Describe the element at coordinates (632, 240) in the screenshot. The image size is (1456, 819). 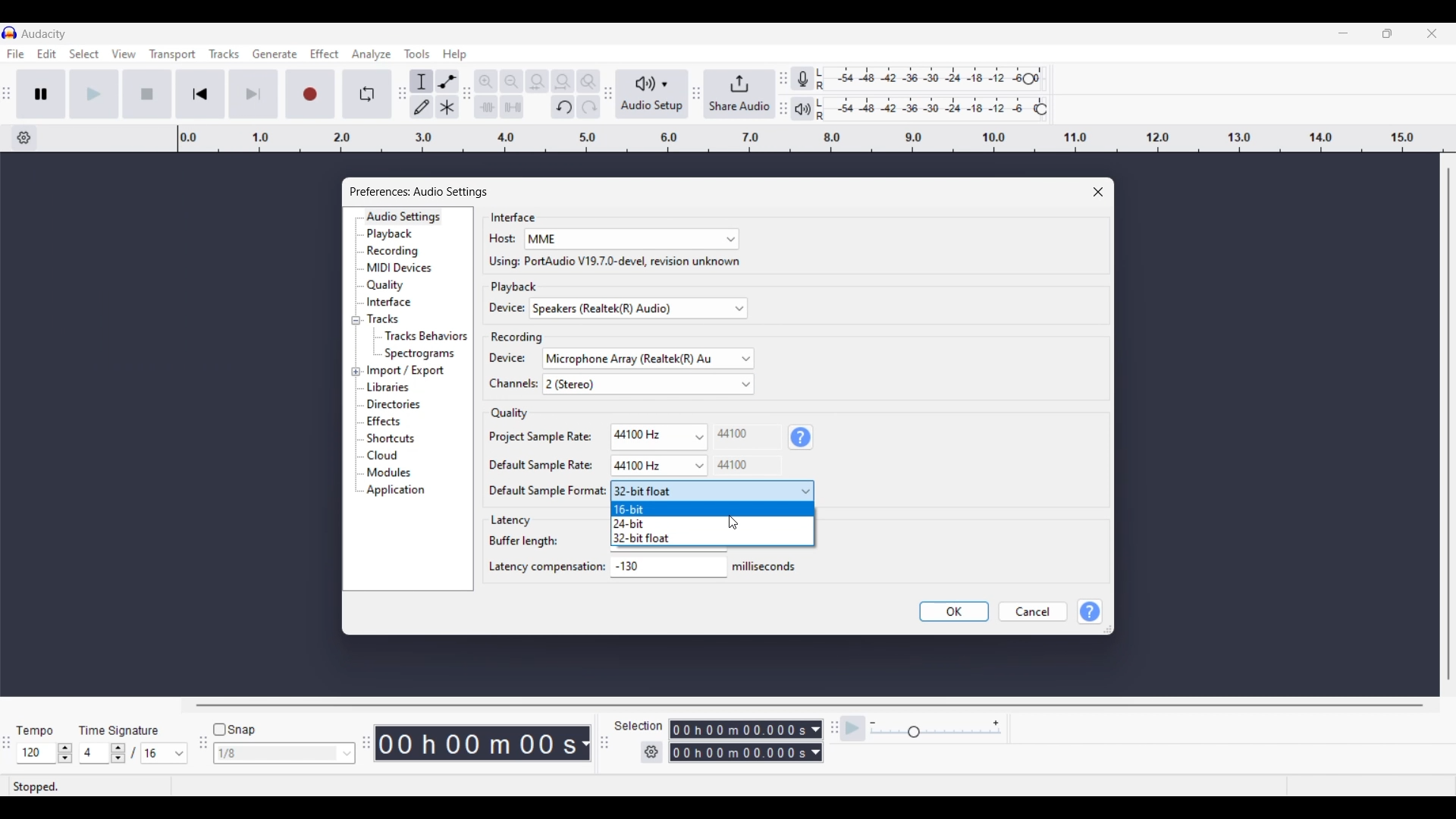
I see `Host options` at that location.